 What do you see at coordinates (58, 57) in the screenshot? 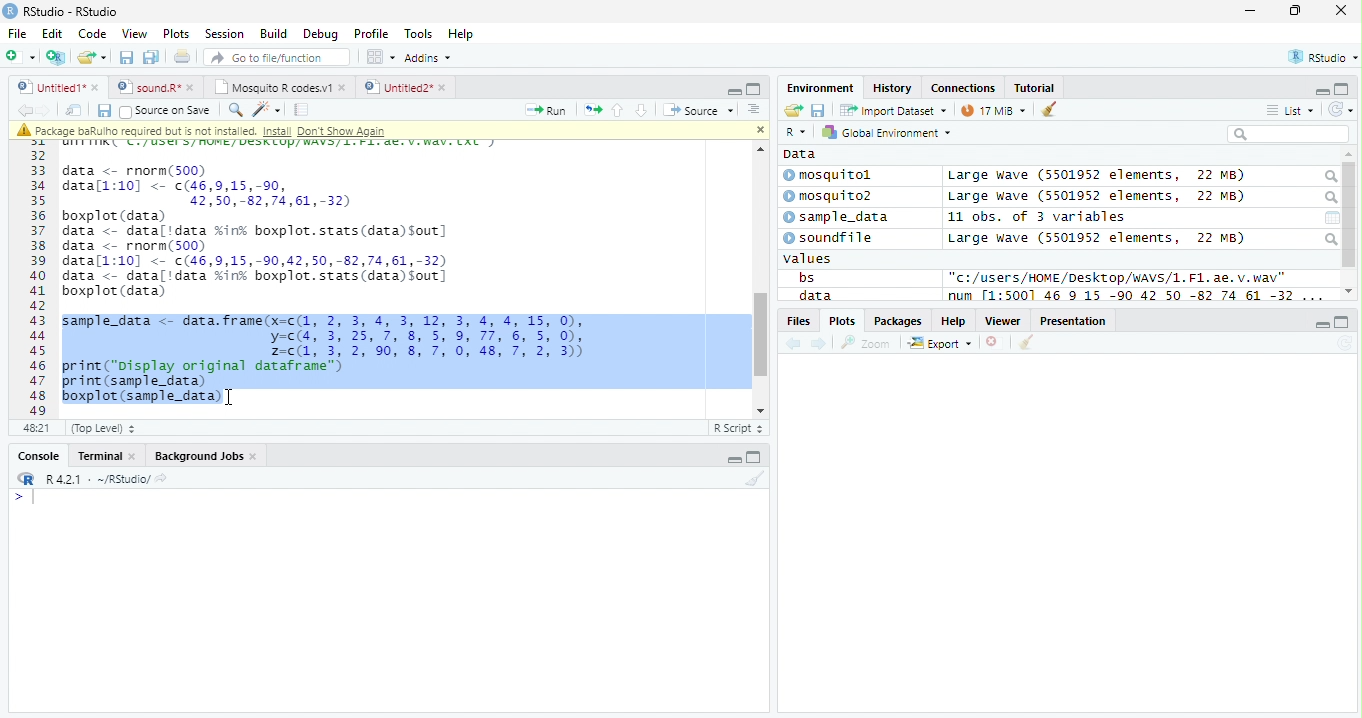
I see `Create a project` at bounding box center [58, 57].